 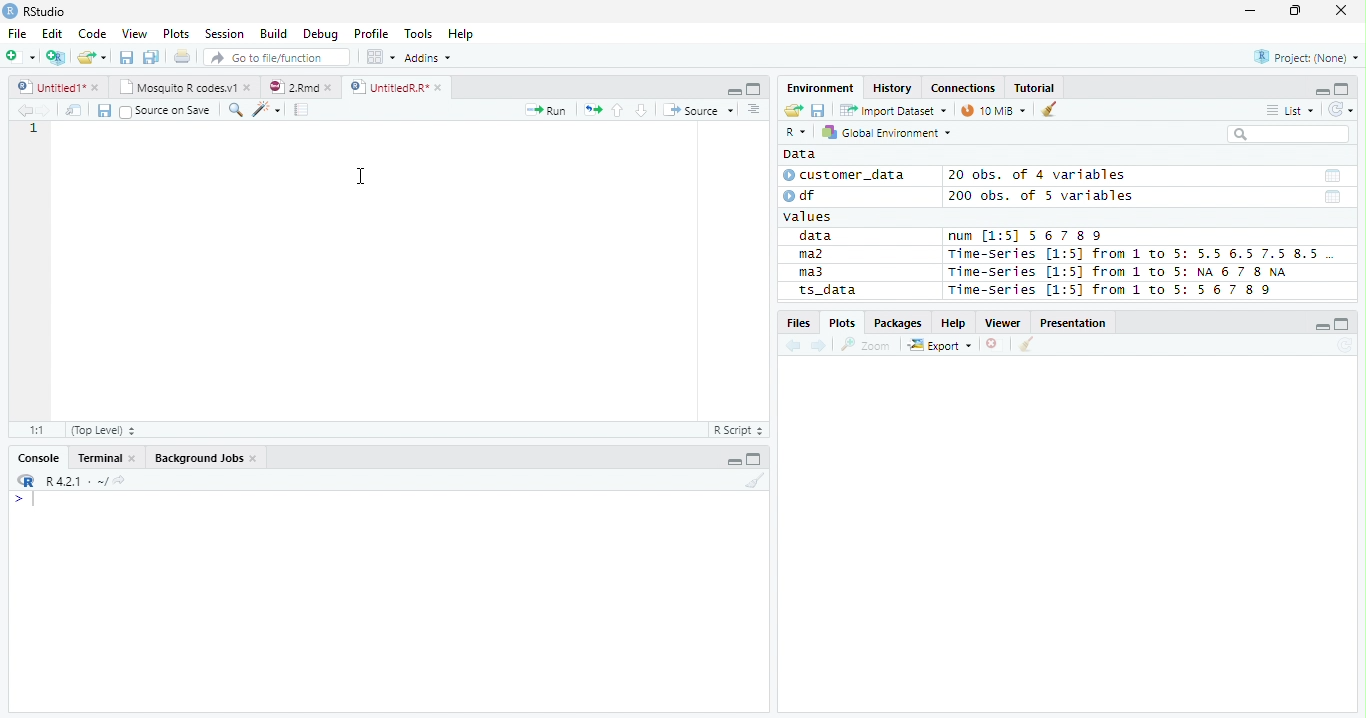 I want to click on values, so click(x=810, y=217).